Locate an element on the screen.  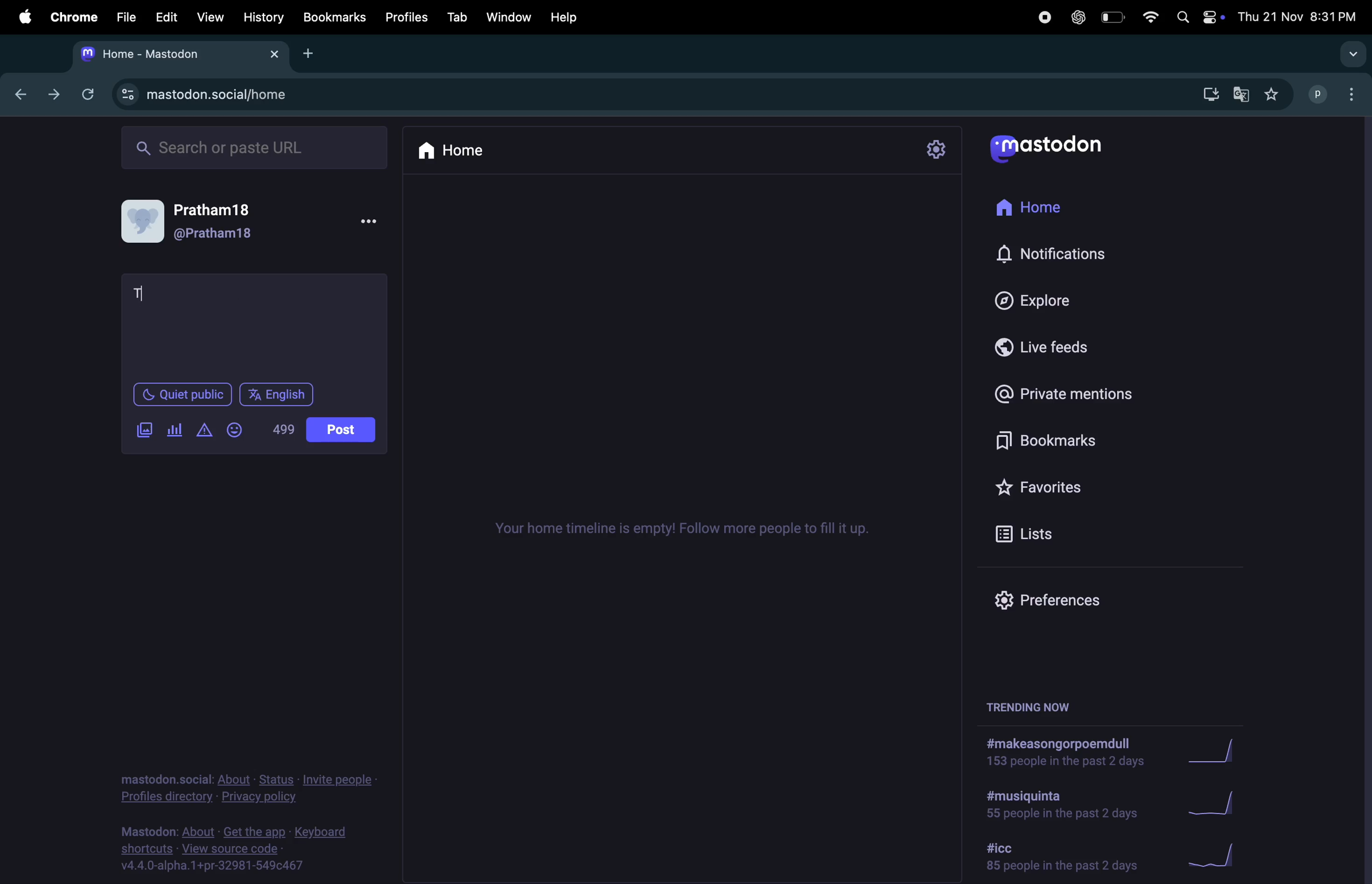
file is located at coordinates (127, 18).